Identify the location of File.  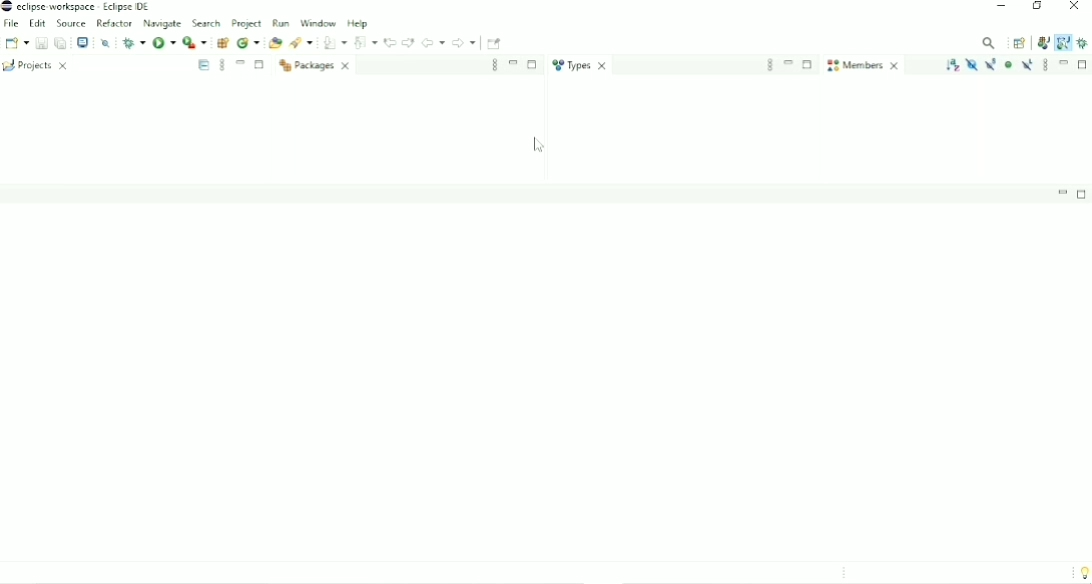
(11, 24).